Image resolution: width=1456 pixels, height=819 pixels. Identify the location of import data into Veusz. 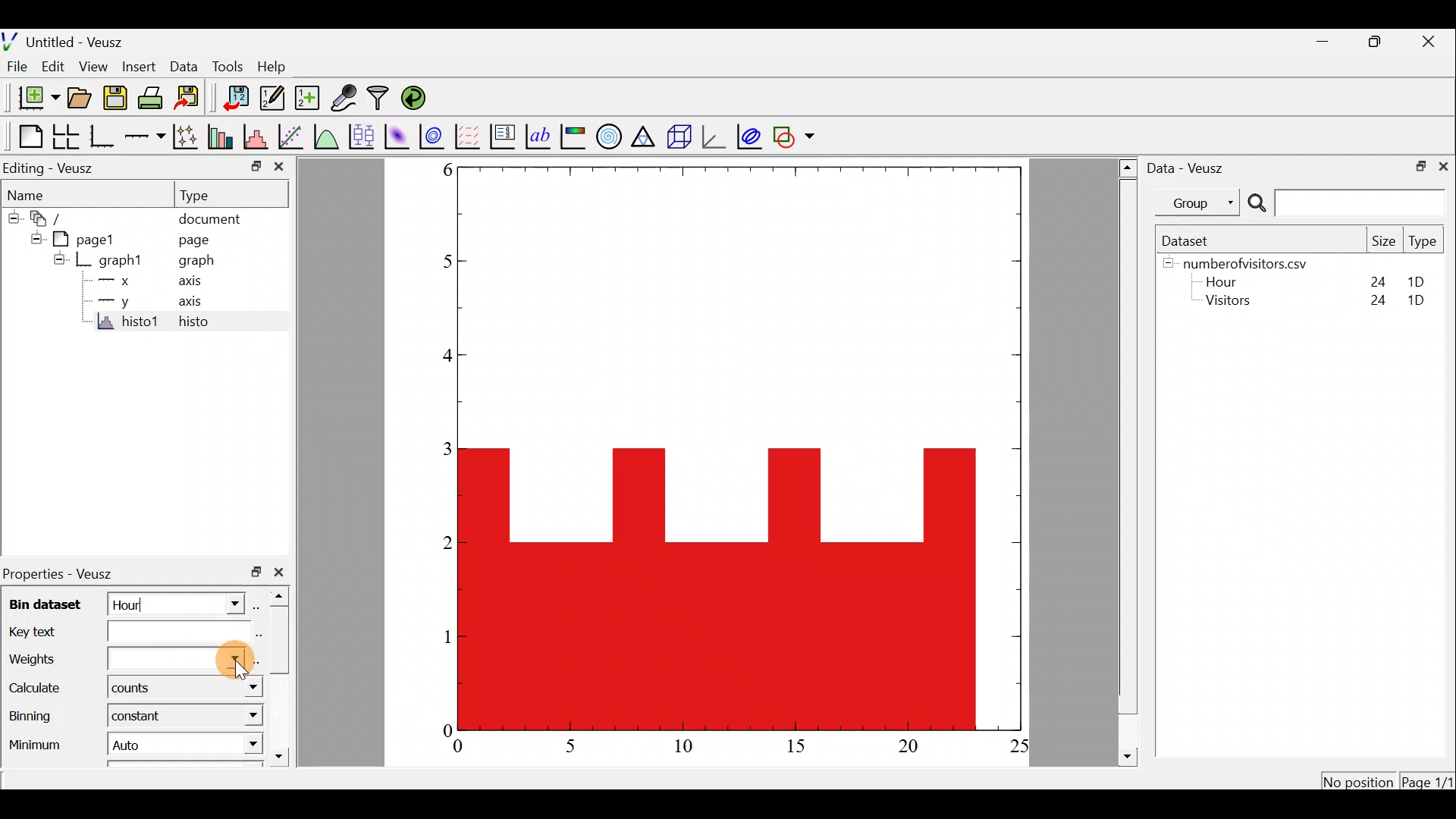
(231, 97).